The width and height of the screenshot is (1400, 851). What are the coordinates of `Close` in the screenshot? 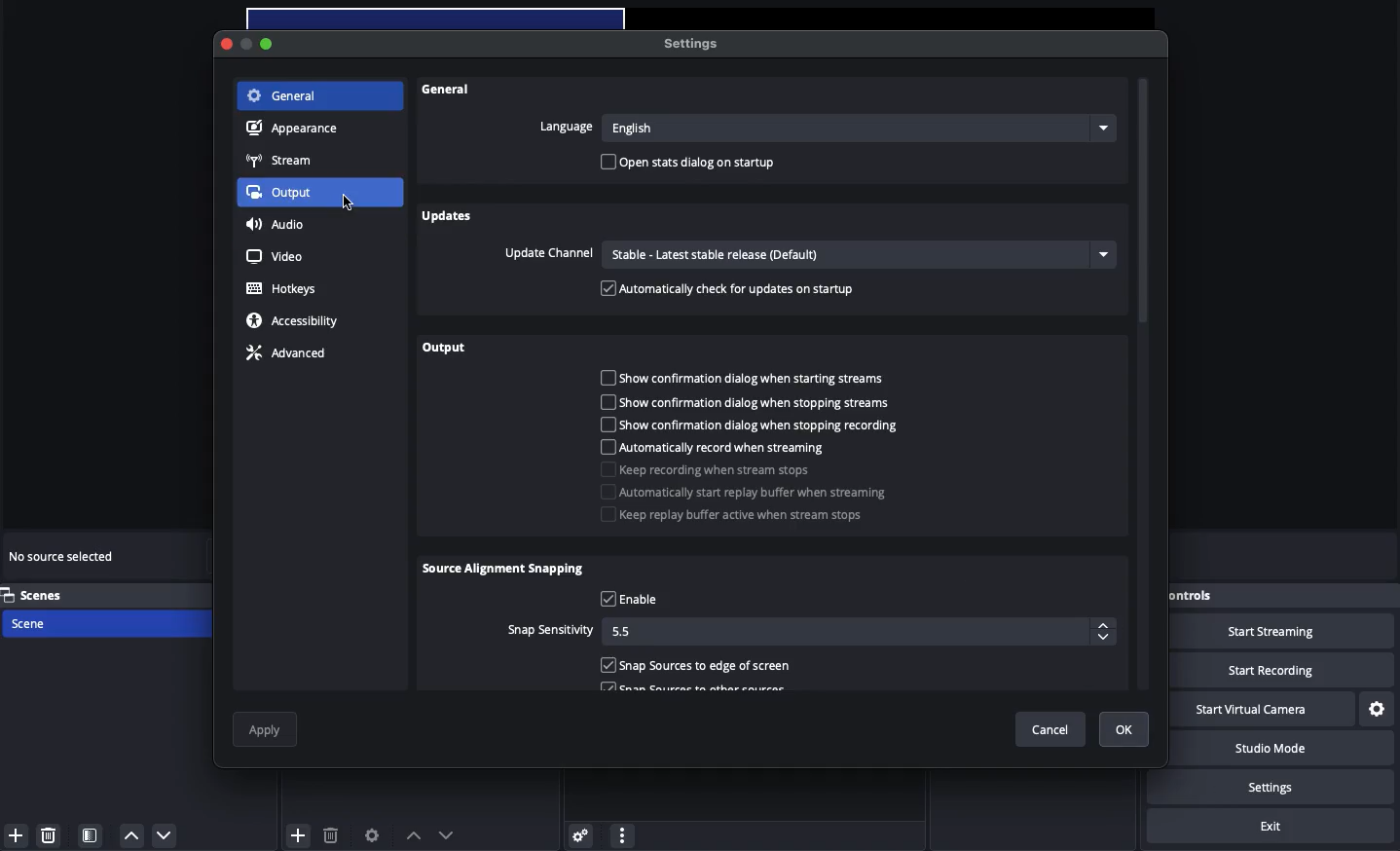 It's located at (228, 45).